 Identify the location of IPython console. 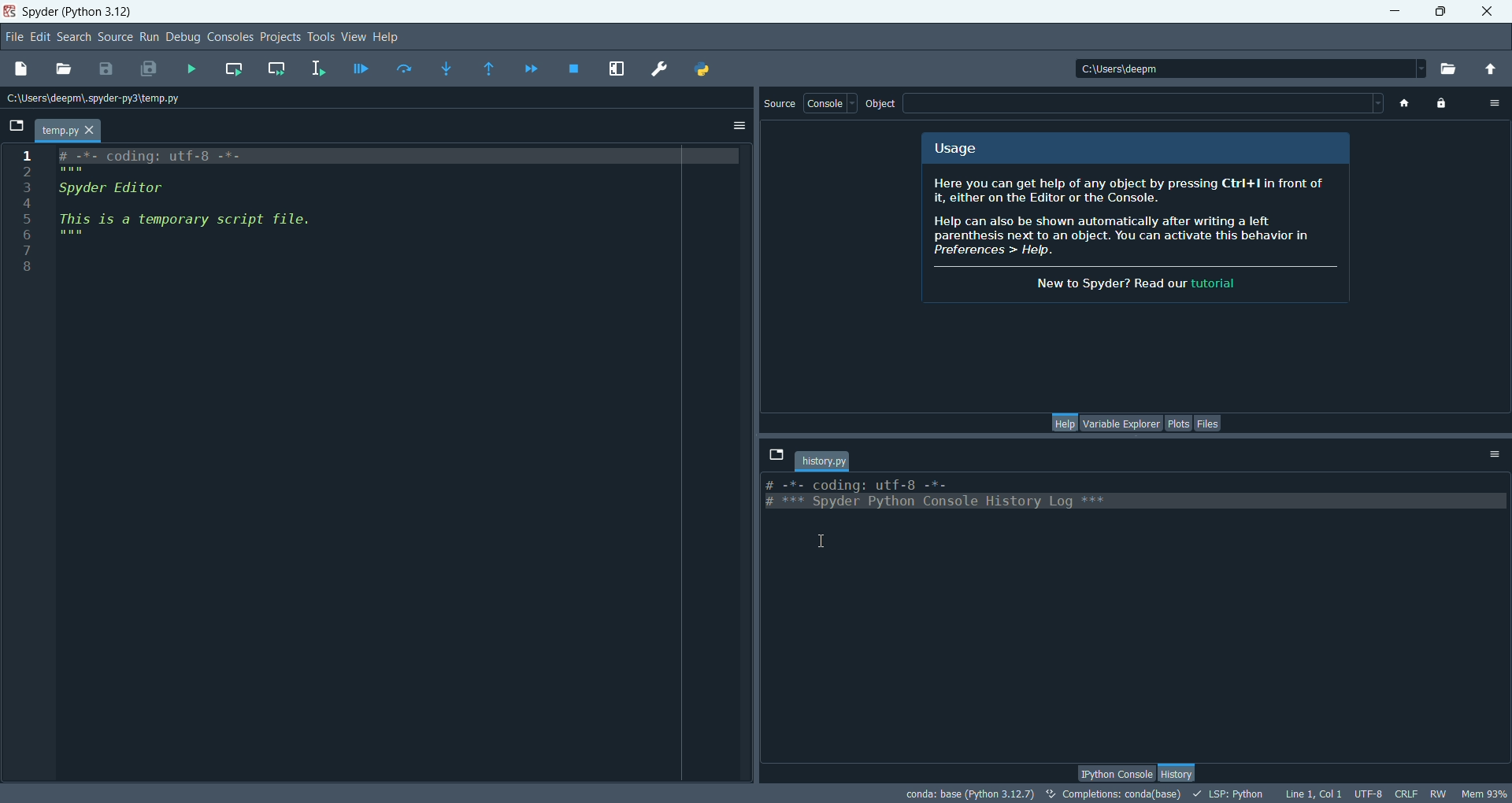
(1114, 772).